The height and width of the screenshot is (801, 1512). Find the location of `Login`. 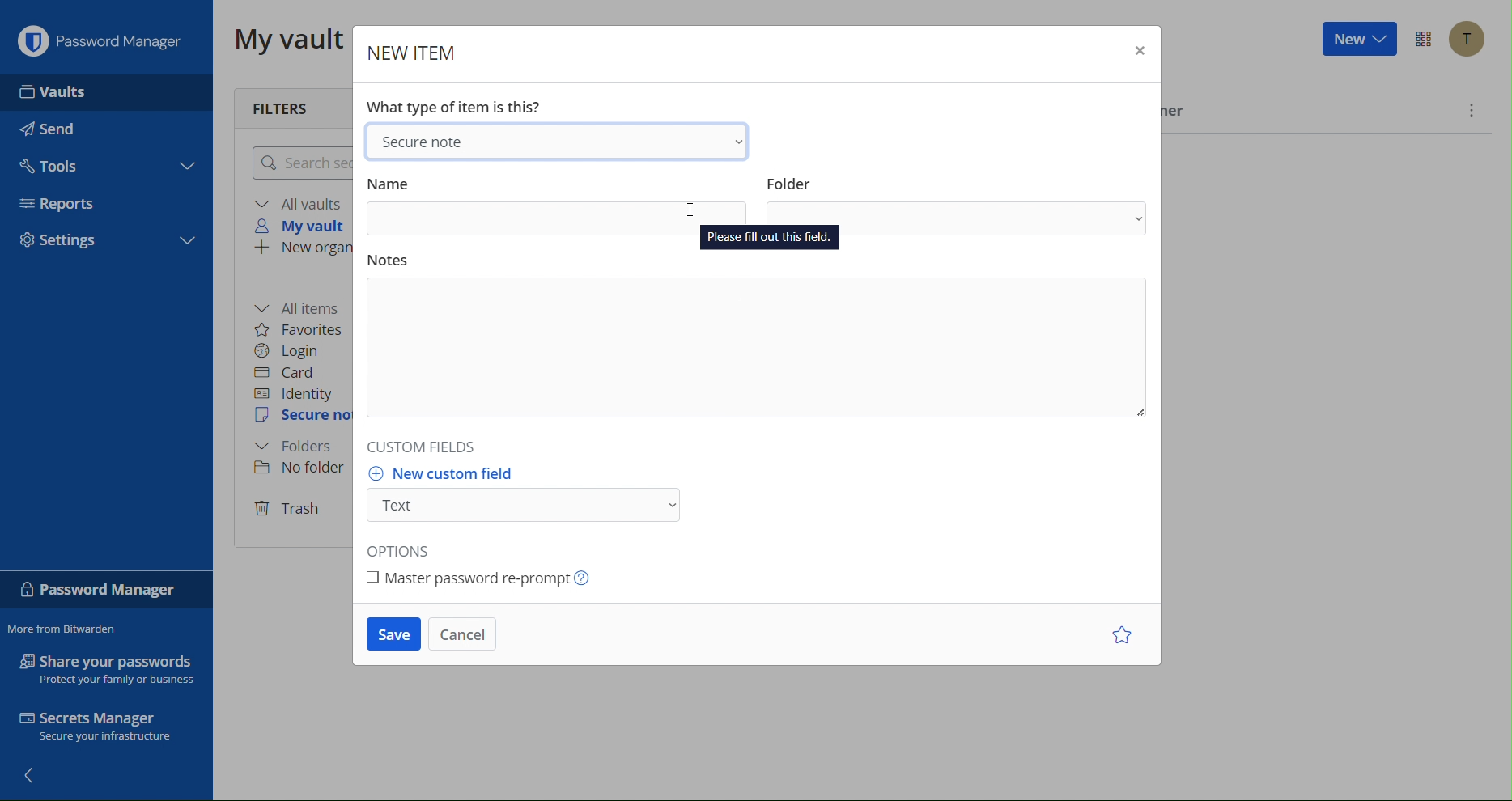

Login is located at coordinates (293, 350).